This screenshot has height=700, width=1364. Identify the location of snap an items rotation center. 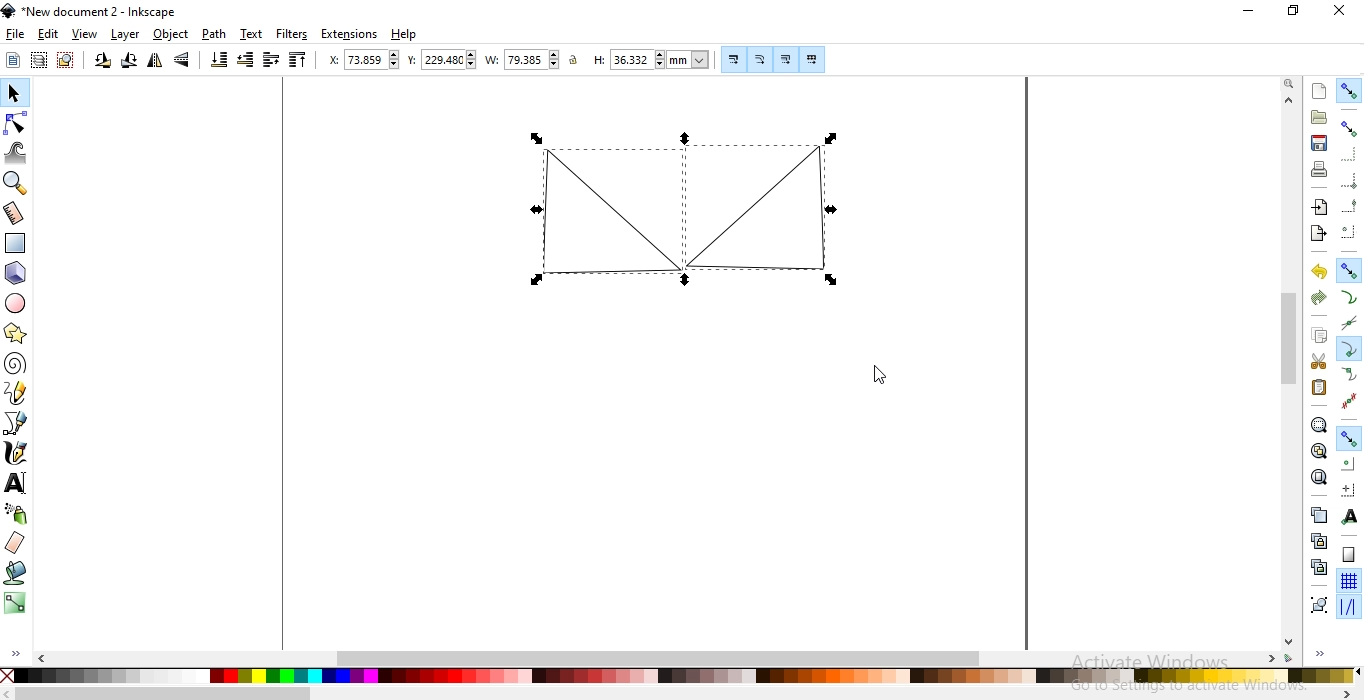
(1348, 489).